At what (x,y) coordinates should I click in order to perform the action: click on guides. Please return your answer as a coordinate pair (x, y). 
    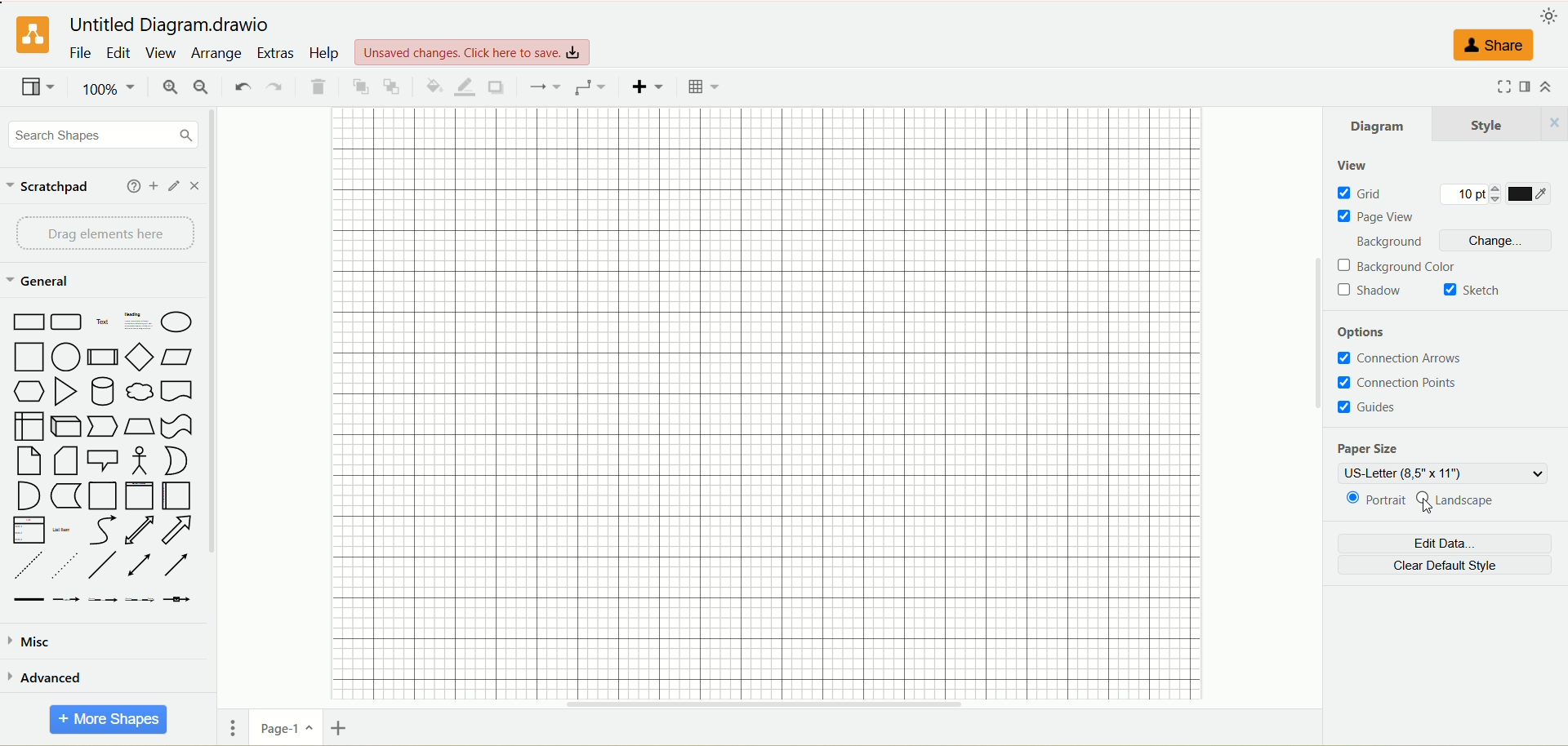
    Looking at the image, I should click on (1374, 409).